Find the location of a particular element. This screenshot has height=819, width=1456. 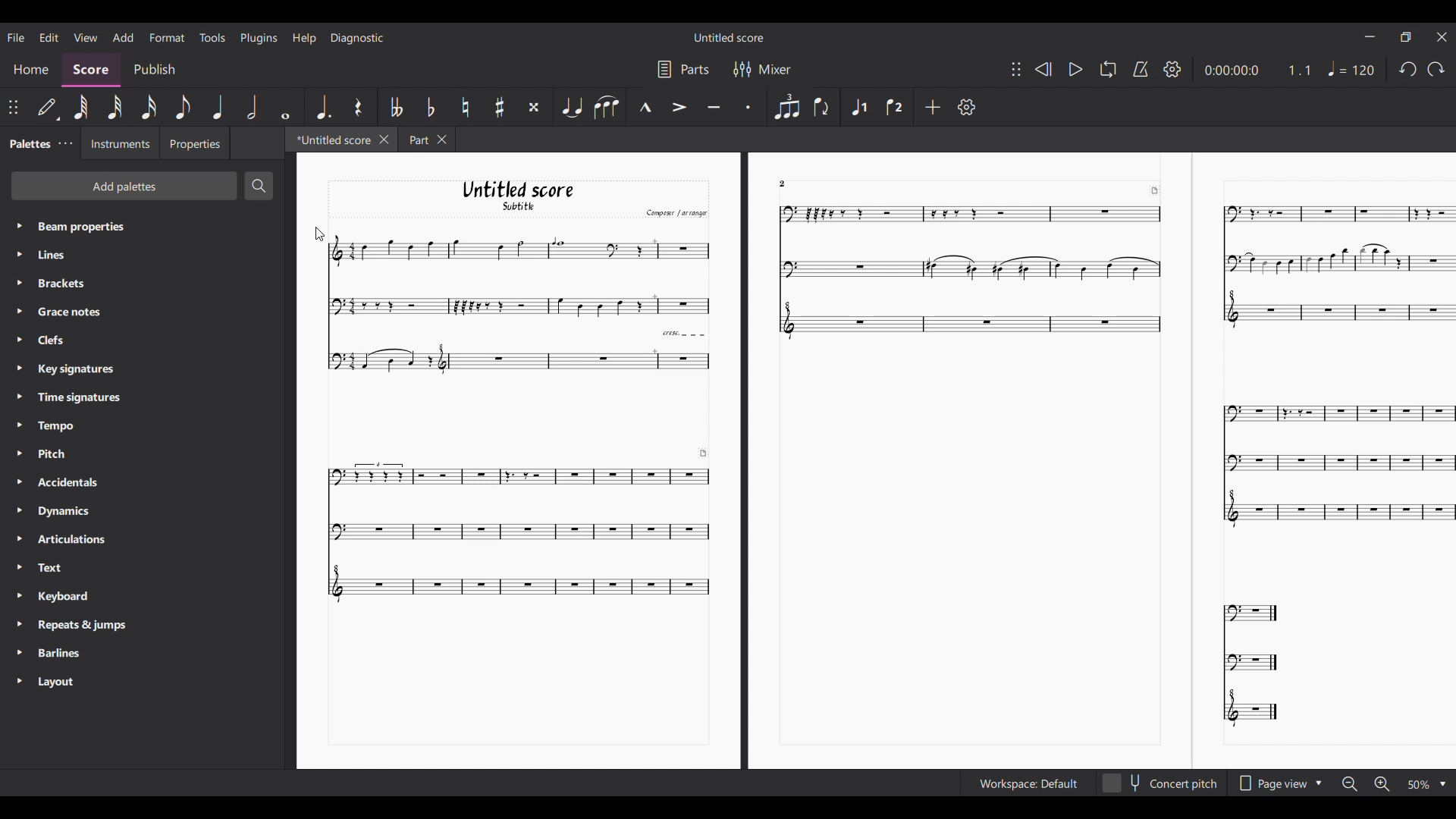

Filter is located at coordinates (740, 69).